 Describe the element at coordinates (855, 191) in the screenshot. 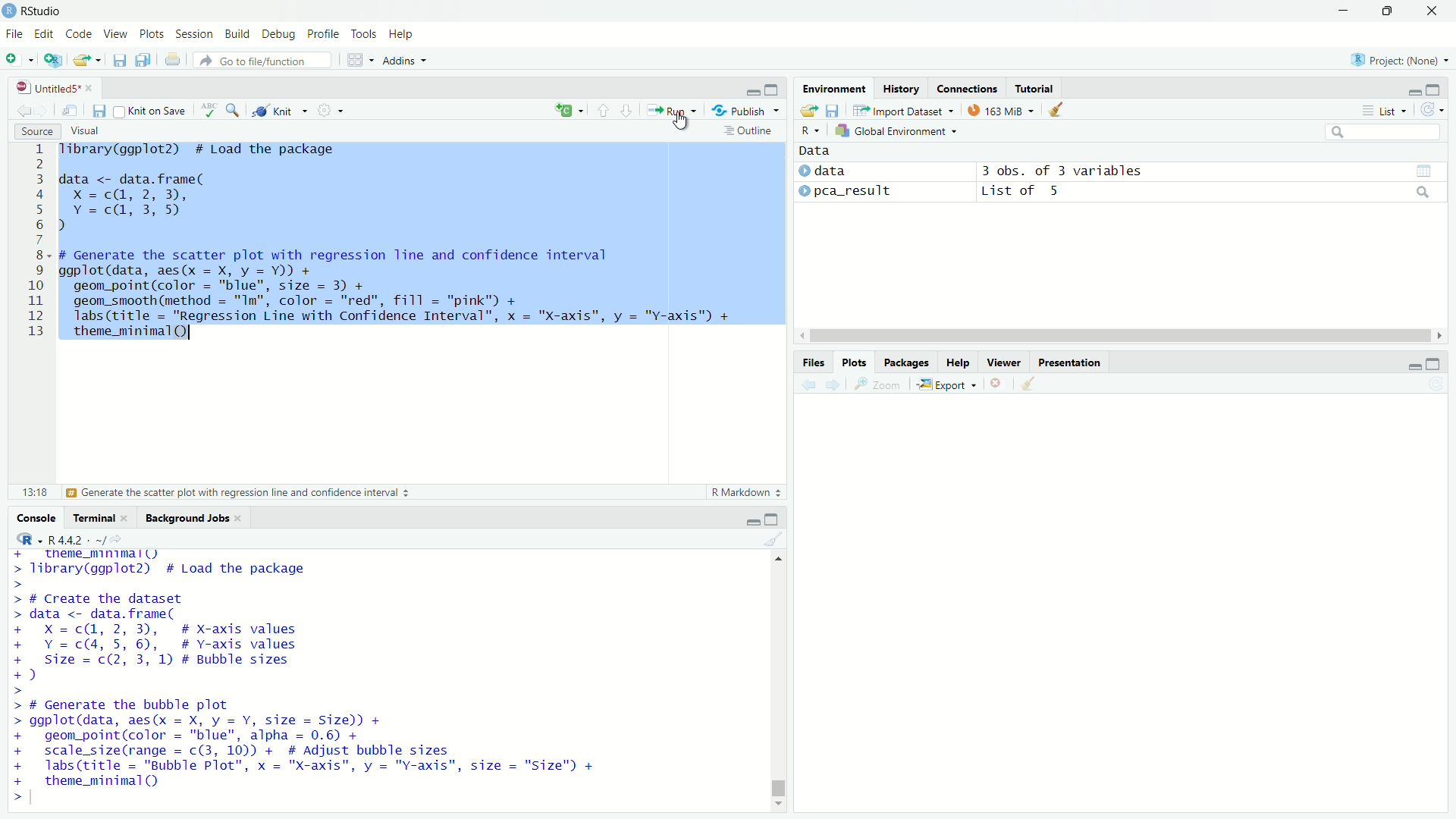

I see `pca_result` at that location.